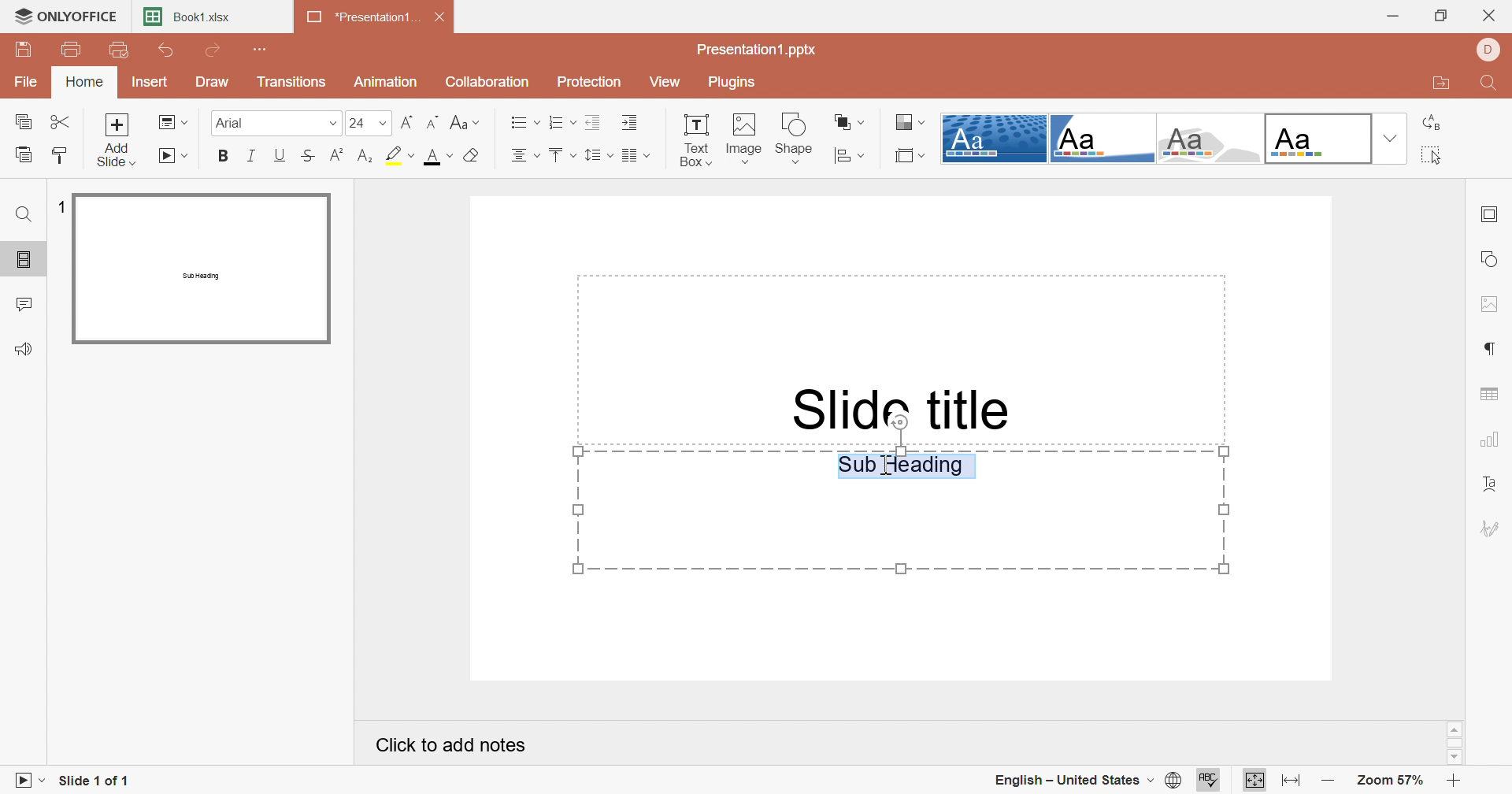 This screenshot has height=794, width=1512. I want to click on Align center, so click(527, 154).